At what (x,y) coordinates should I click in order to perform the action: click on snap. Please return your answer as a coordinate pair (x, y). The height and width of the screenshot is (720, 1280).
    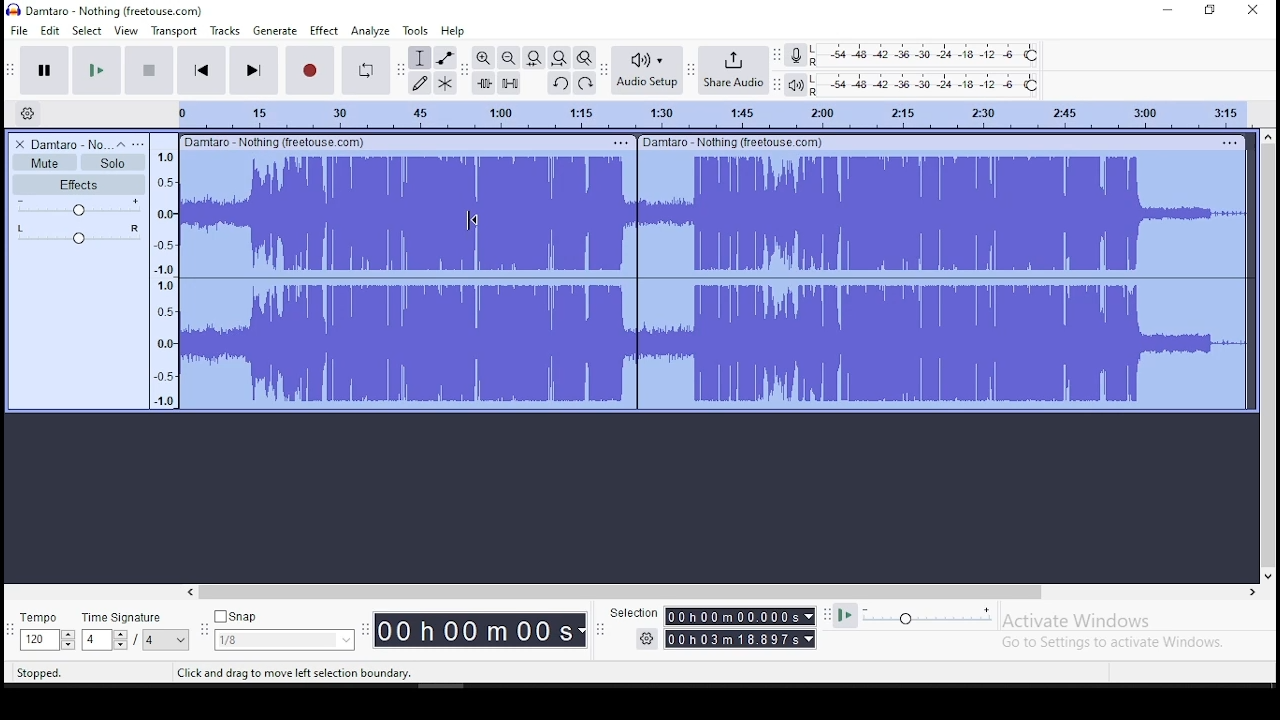
    Looking at the image, I should click on (284, 641).